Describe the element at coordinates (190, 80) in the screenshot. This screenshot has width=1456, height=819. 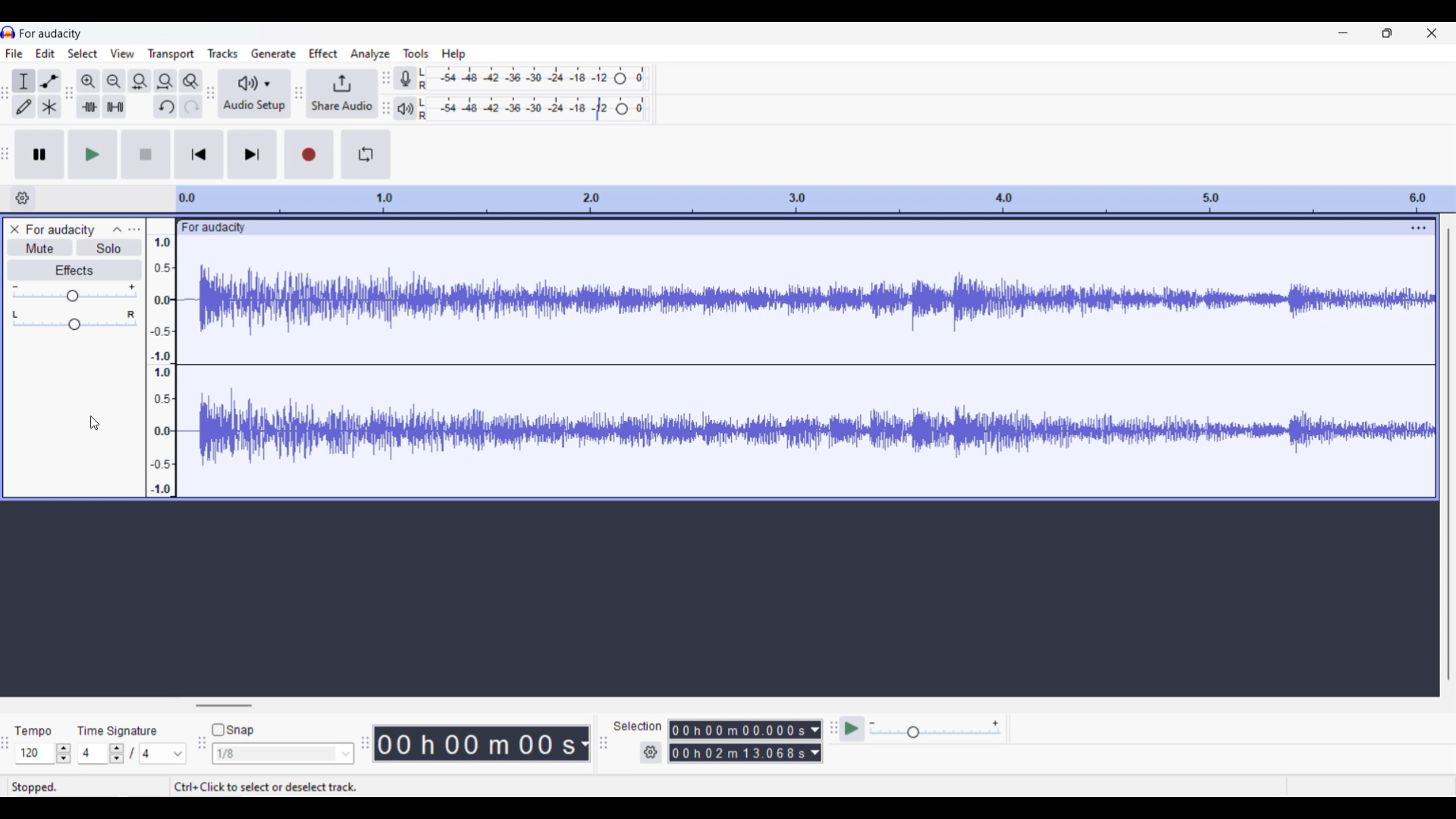
I see `Zoom toggle` at that location.